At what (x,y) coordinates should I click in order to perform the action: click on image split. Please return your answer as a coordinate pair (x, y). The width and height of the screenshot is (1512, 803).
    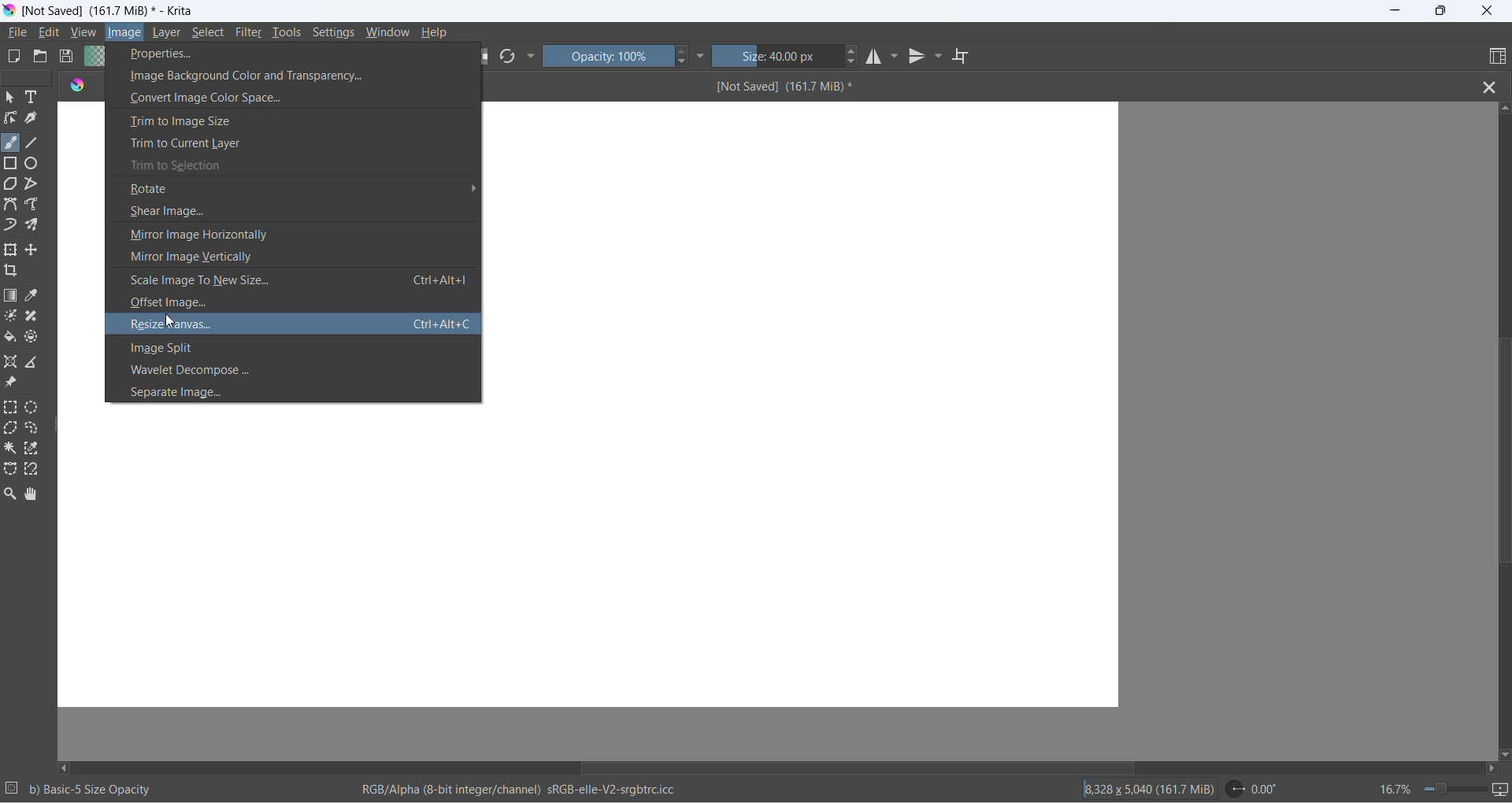
    Looking at the image, I should click on (294, 347).